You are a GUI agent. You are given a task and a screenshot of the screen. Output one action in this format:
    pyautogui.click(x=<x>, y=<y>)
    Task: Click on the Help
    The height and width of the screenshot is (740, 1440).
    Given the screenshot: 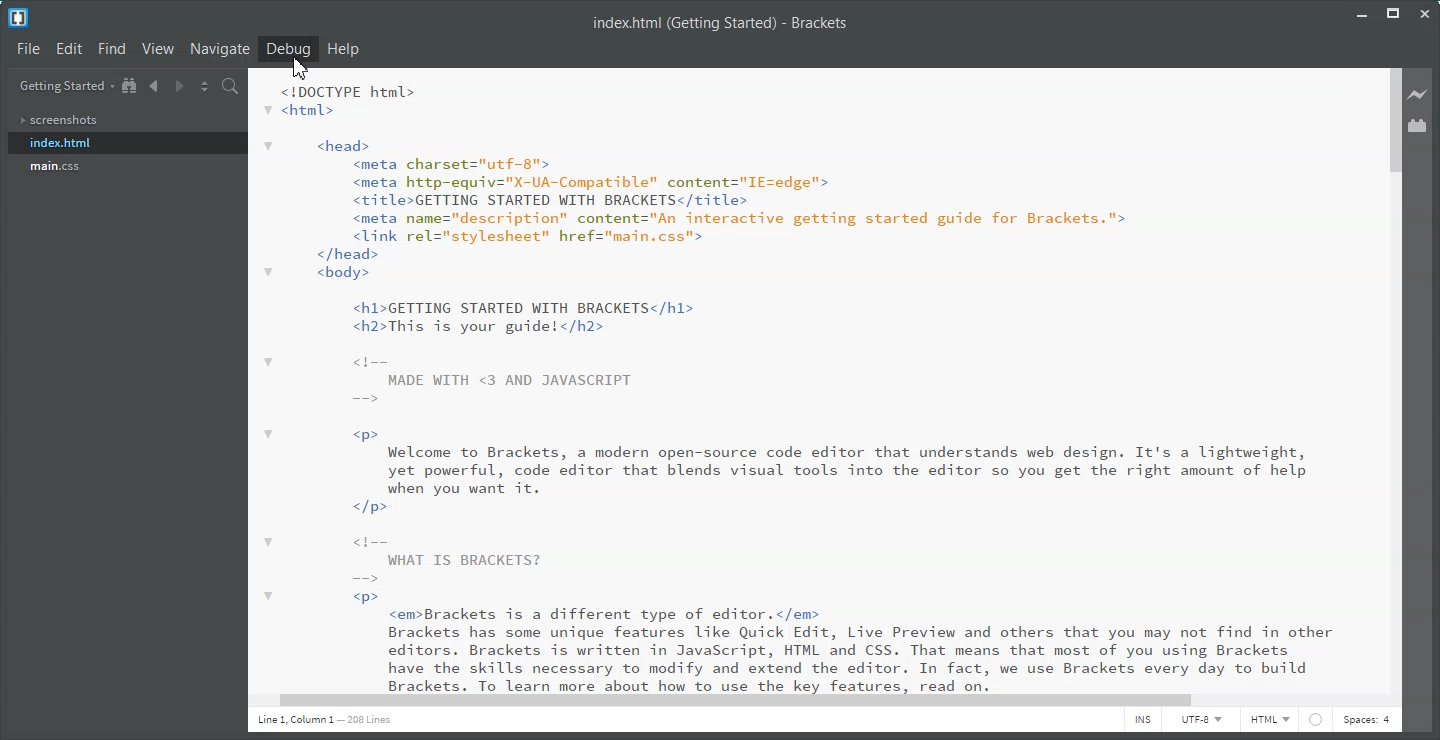 What is the action you would take?
    pyautogui.click(x=344, y=48)
    